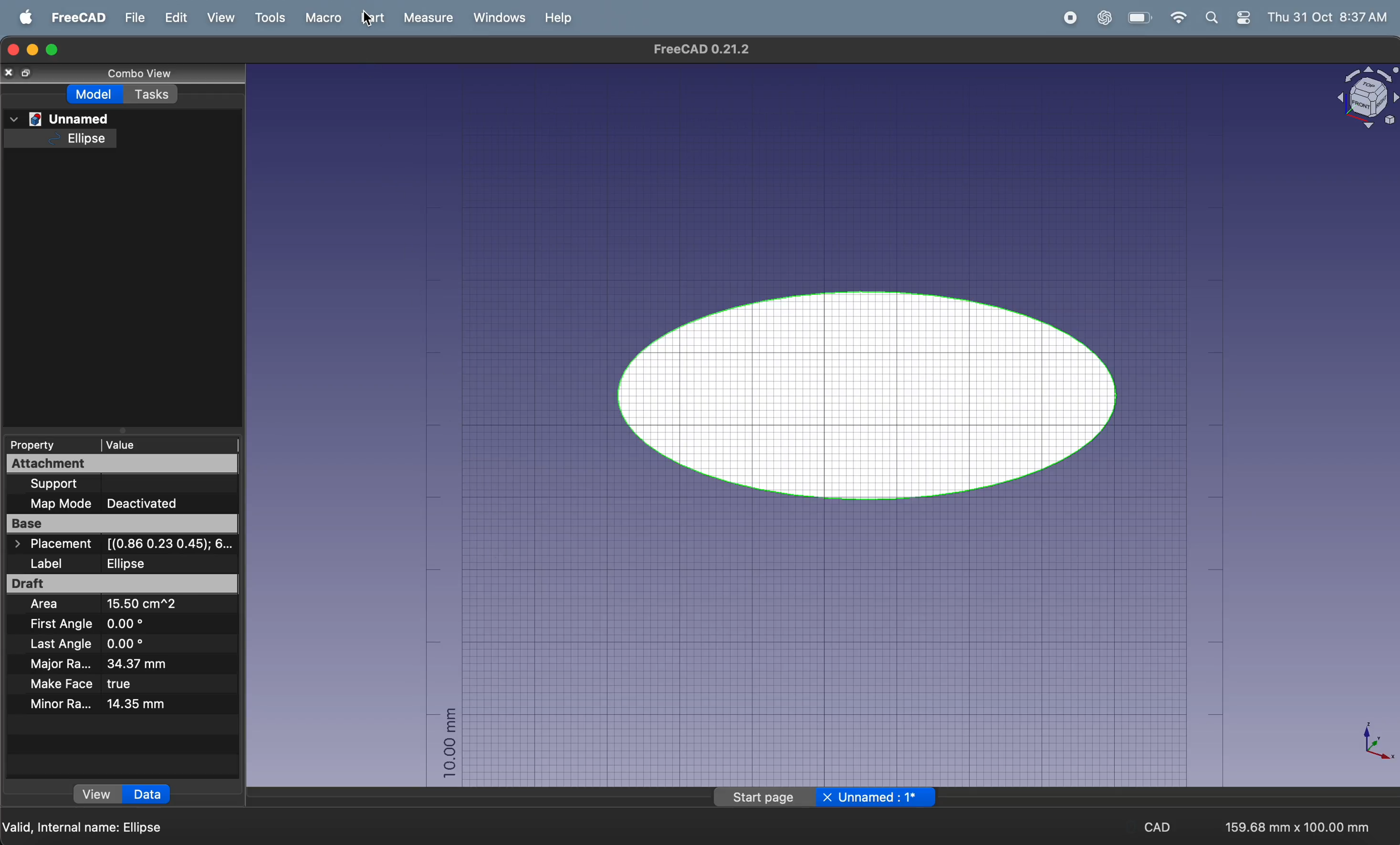 The height and width of the screenshot is (845, 1400). Describe the element at coordinates (1099, 18) in the screenshot. I see `chatgpt` at that location.